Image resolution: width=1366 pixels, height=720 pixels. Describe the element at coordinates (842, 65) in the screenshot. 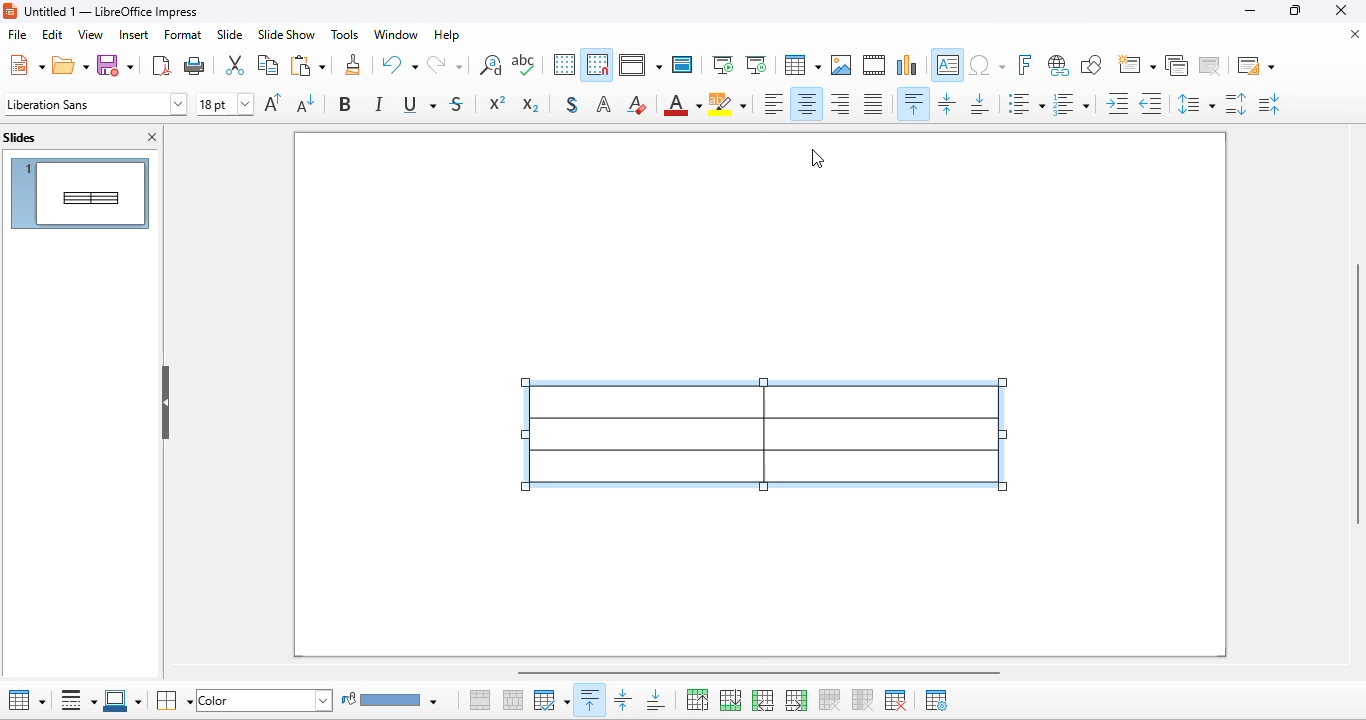

I see `insert image` at that location.